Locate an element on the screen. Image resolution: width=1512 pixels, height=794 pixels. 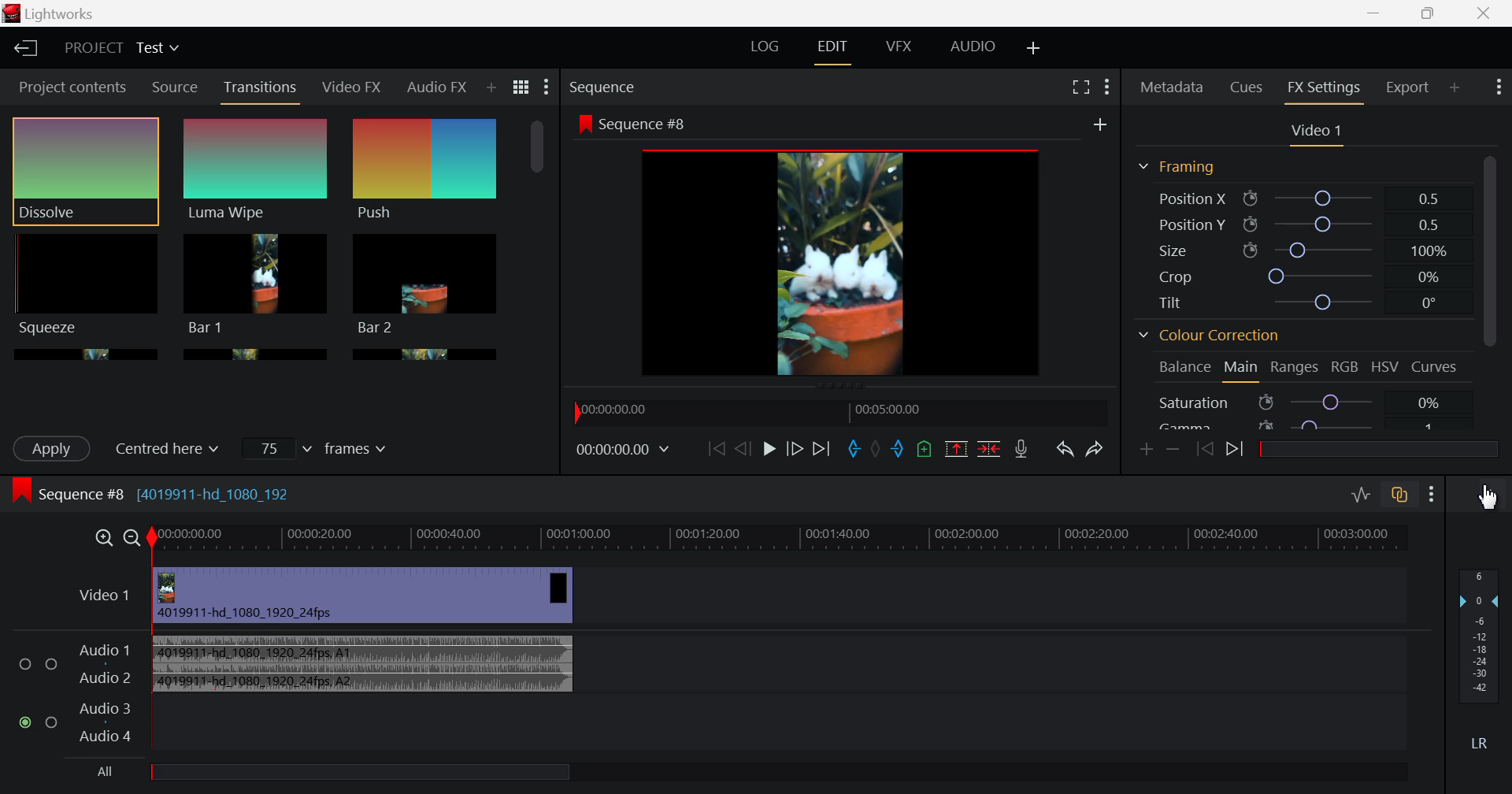
Mark Out is located at coordinates (898, 449).